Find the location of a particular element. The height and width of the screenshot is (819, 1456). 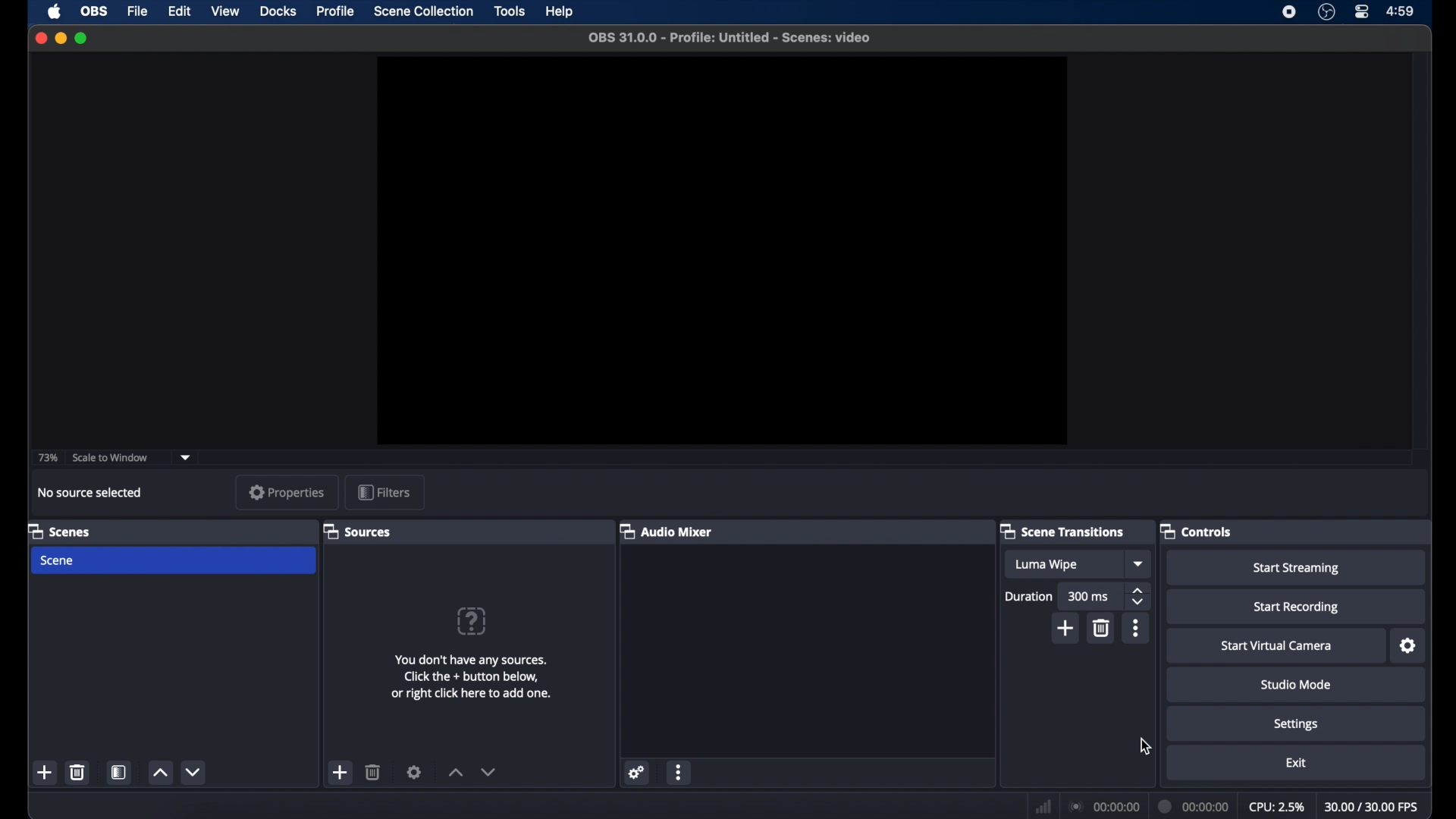

add is located at coordinates (1065, 627).